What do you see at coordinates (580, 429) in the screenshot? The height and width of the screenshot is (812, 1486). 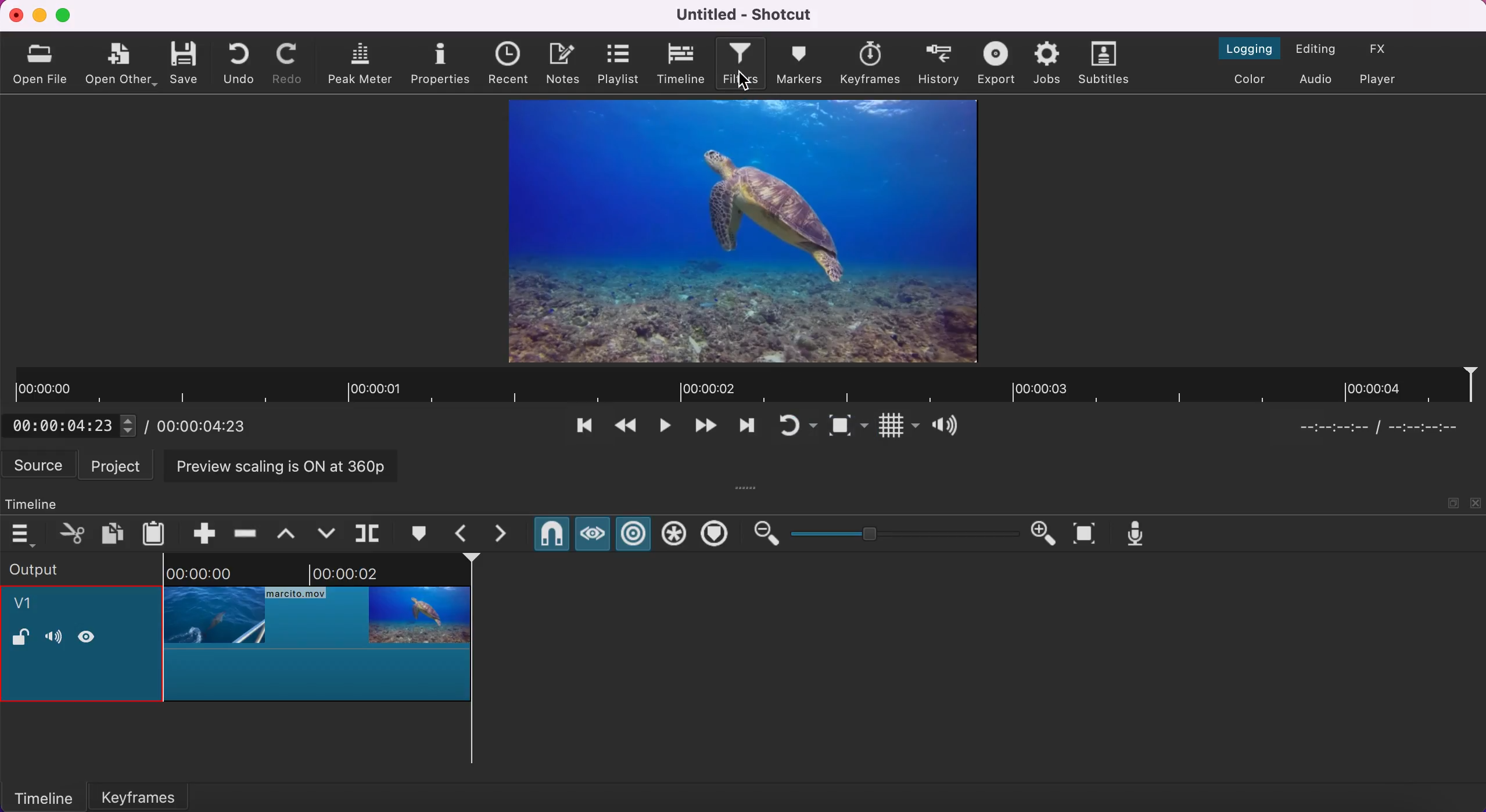 I see `skip to the previous point` at bounding box center [580, 429].